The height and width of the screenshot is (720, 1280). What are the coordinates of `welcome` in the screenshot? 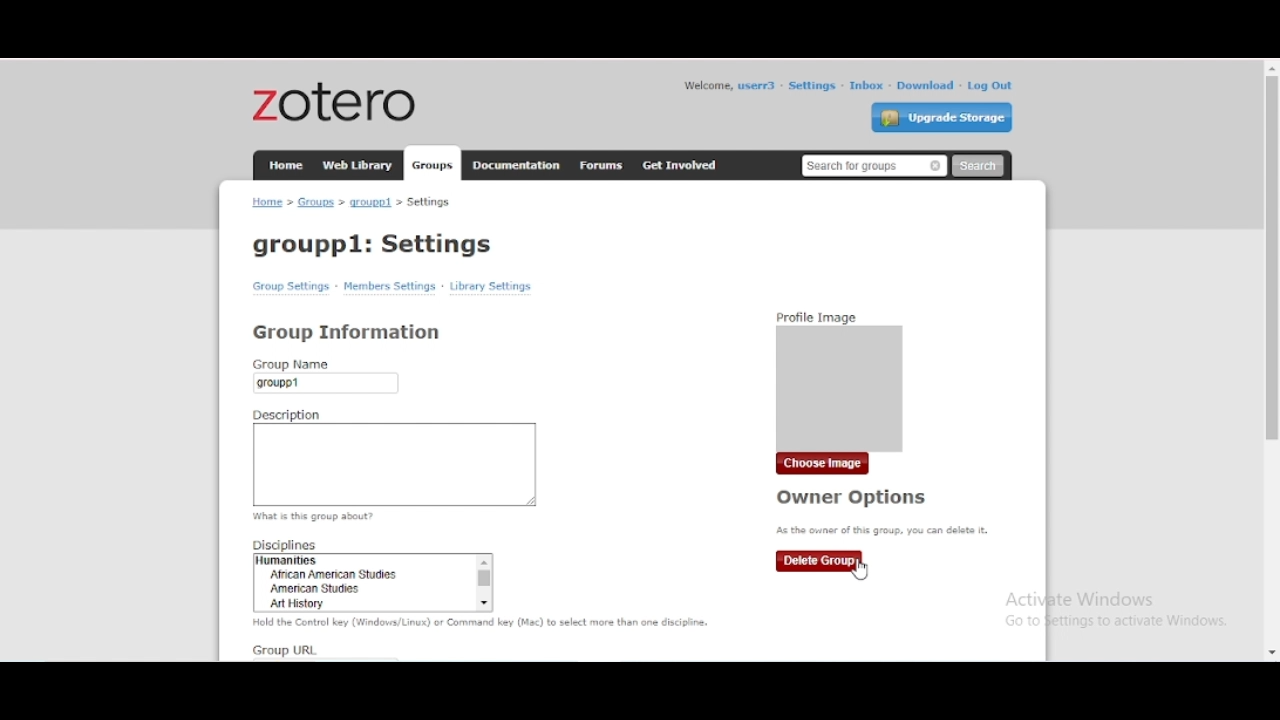 It's located at (706, 86).